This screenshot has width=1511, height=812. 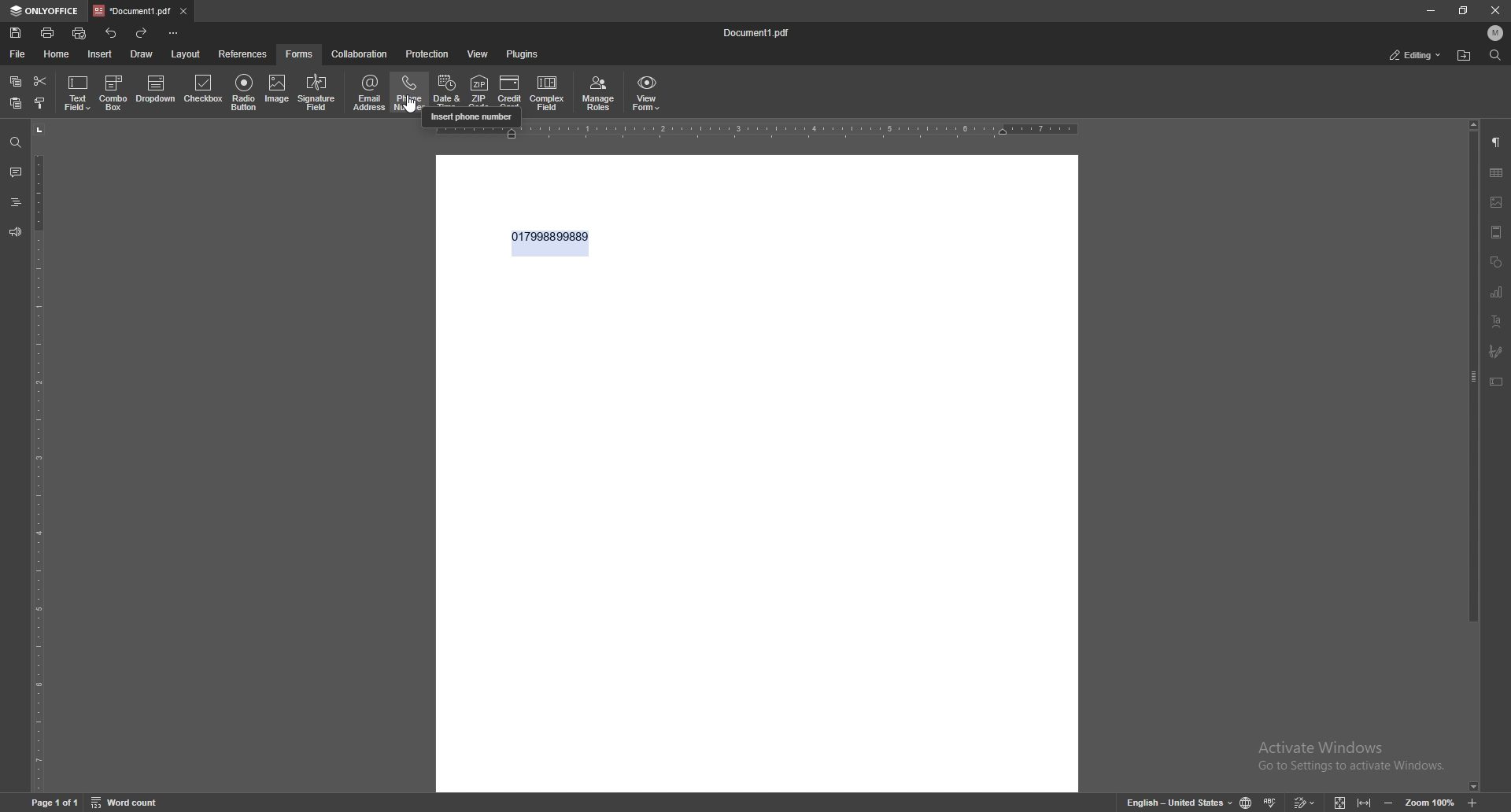 What do you see at coordinates (157, 90) in the screenshot?
I see `dropdown` at bounding box center [157, 90].